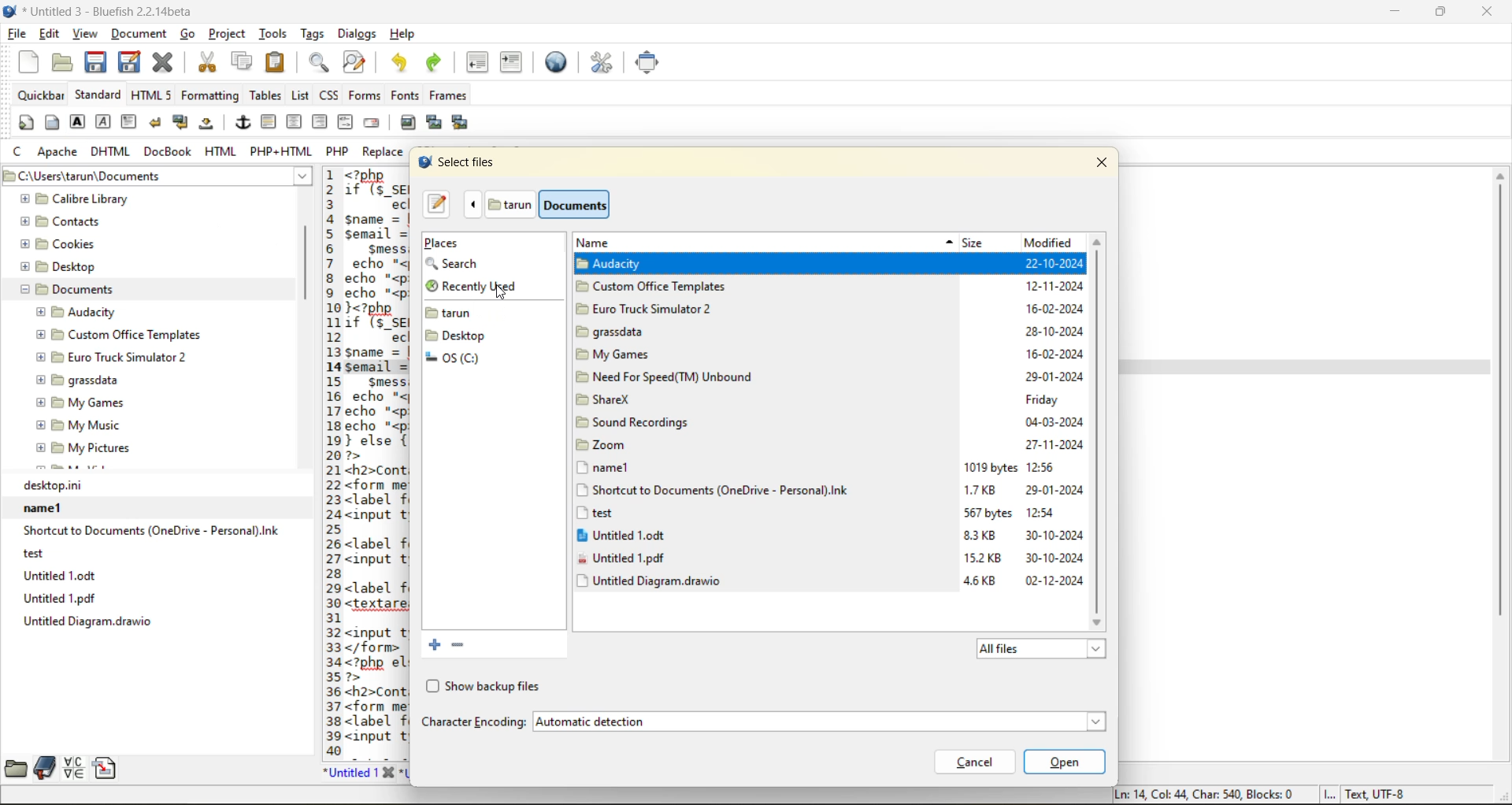 The height and width of the screenshot is (805, 1512). I want to click on docbook, so click(169, 153).